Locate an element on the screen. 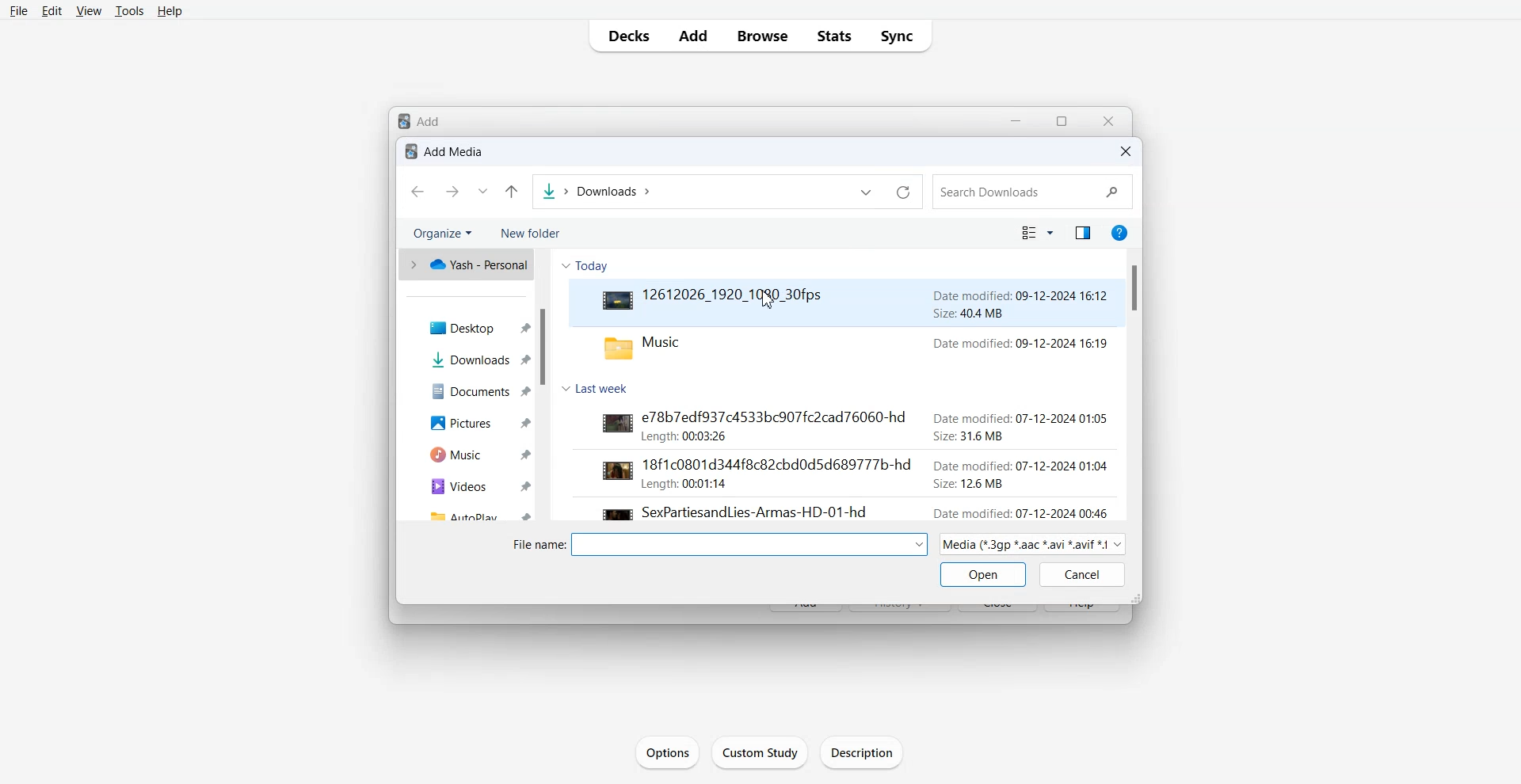 The height and width of the screenshot is (784, 1521). Vertical Scroll bar is located at coordinates (1135, 292).